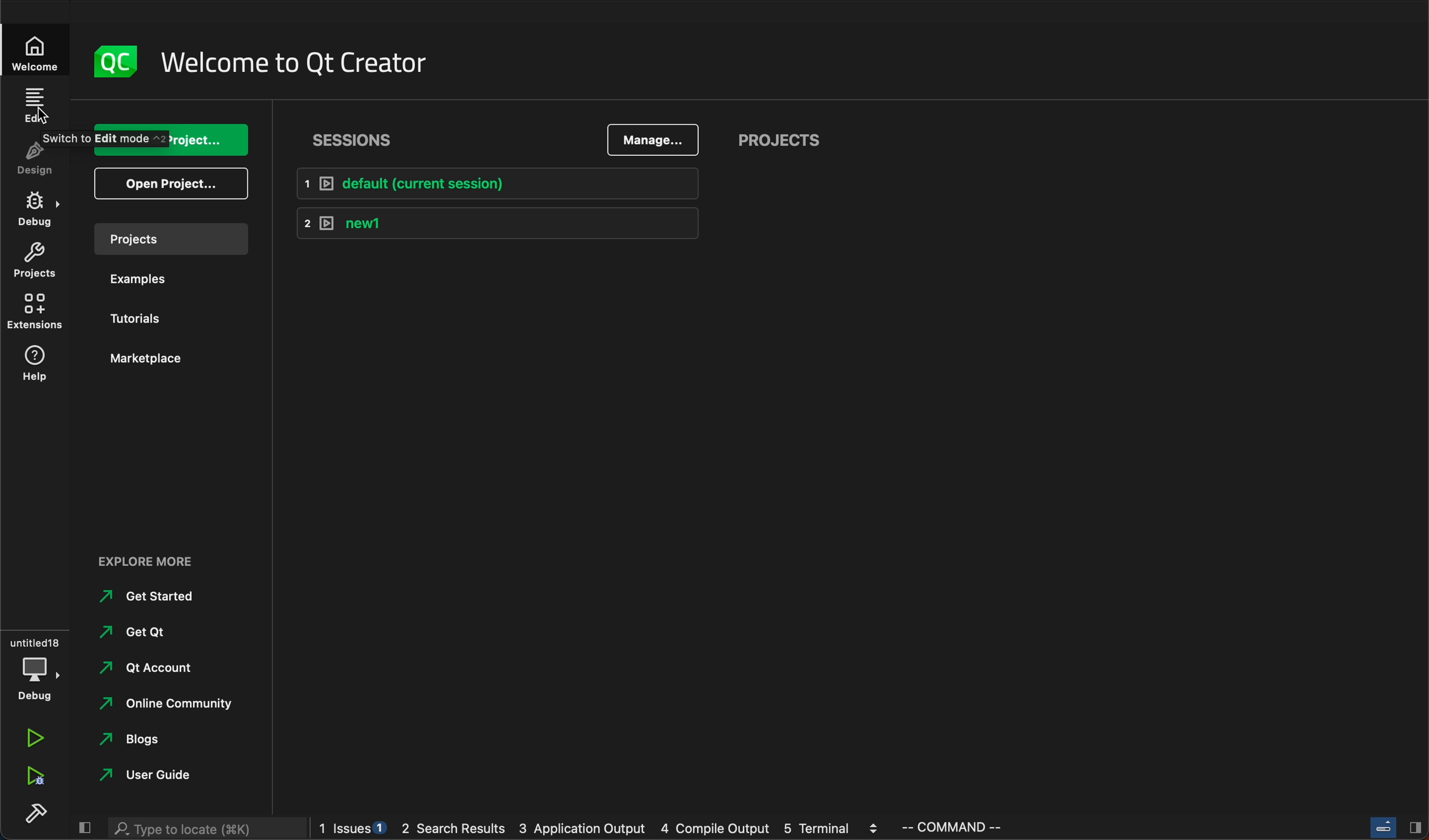  I want to click on new1, so click(492, 222).